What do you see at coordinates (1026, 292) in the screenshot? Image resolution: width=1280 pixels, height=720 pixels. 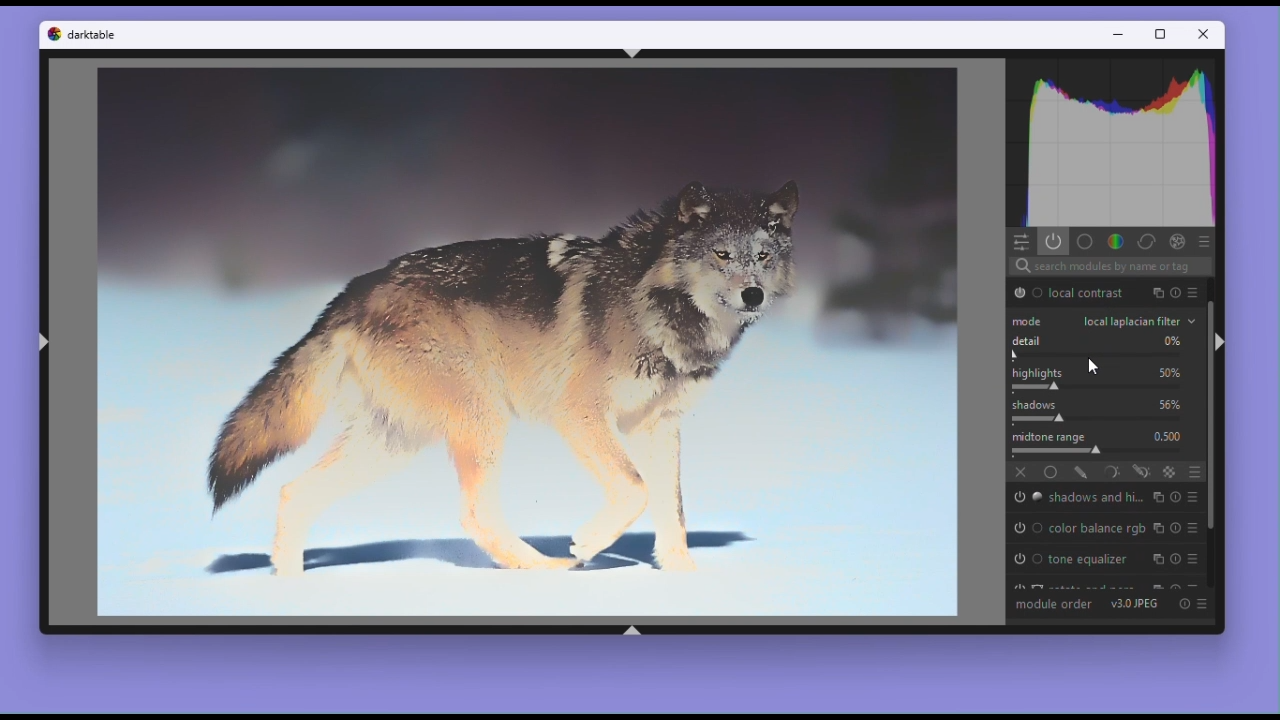 I see `'local contrast' is switched on` at bounding box center [1026, 292].